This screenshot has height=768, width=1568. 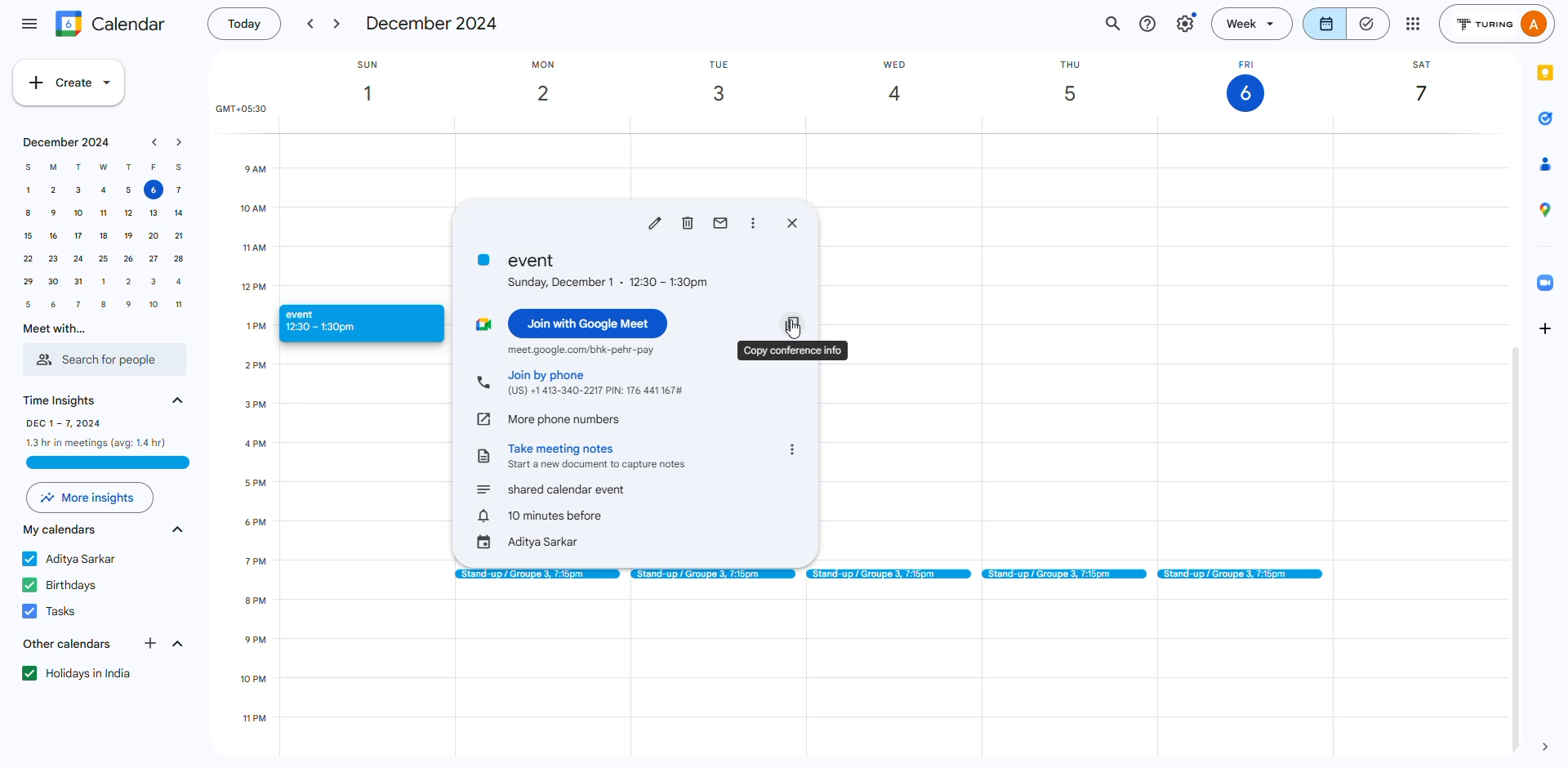 I want to click on wed 4, so click(x=903, y=84).